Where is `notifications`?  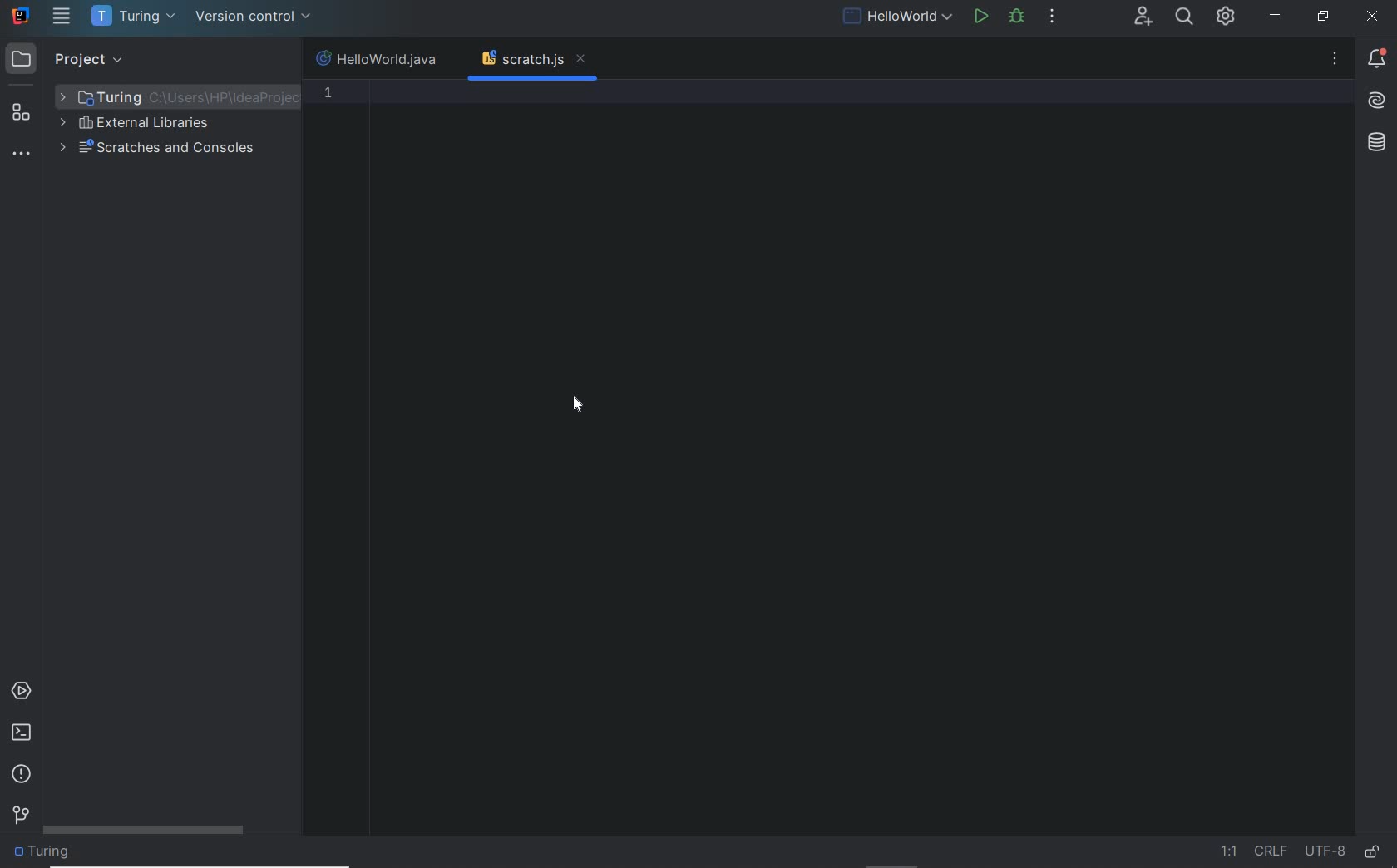
notifications is located at coordinates (1374, 61).